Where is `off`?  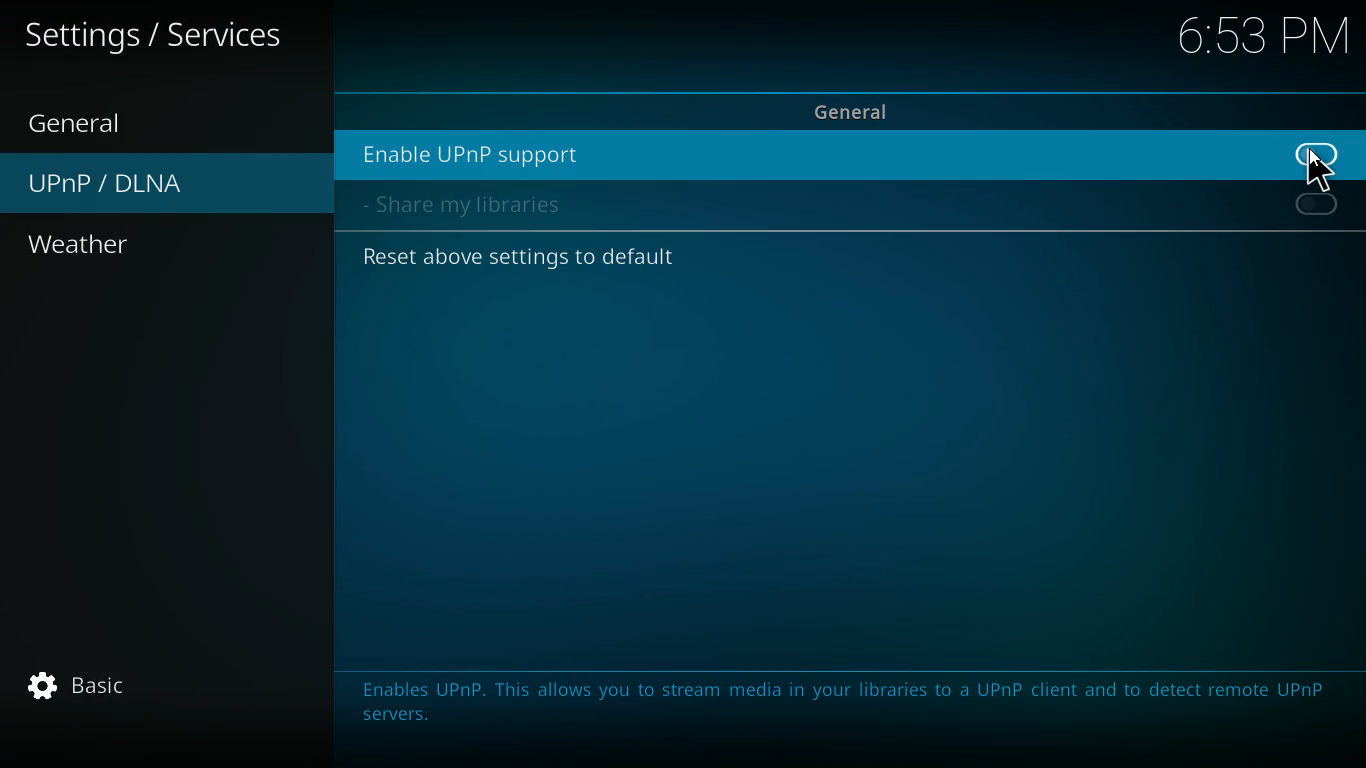
off is located at coordinates (1316, 155).